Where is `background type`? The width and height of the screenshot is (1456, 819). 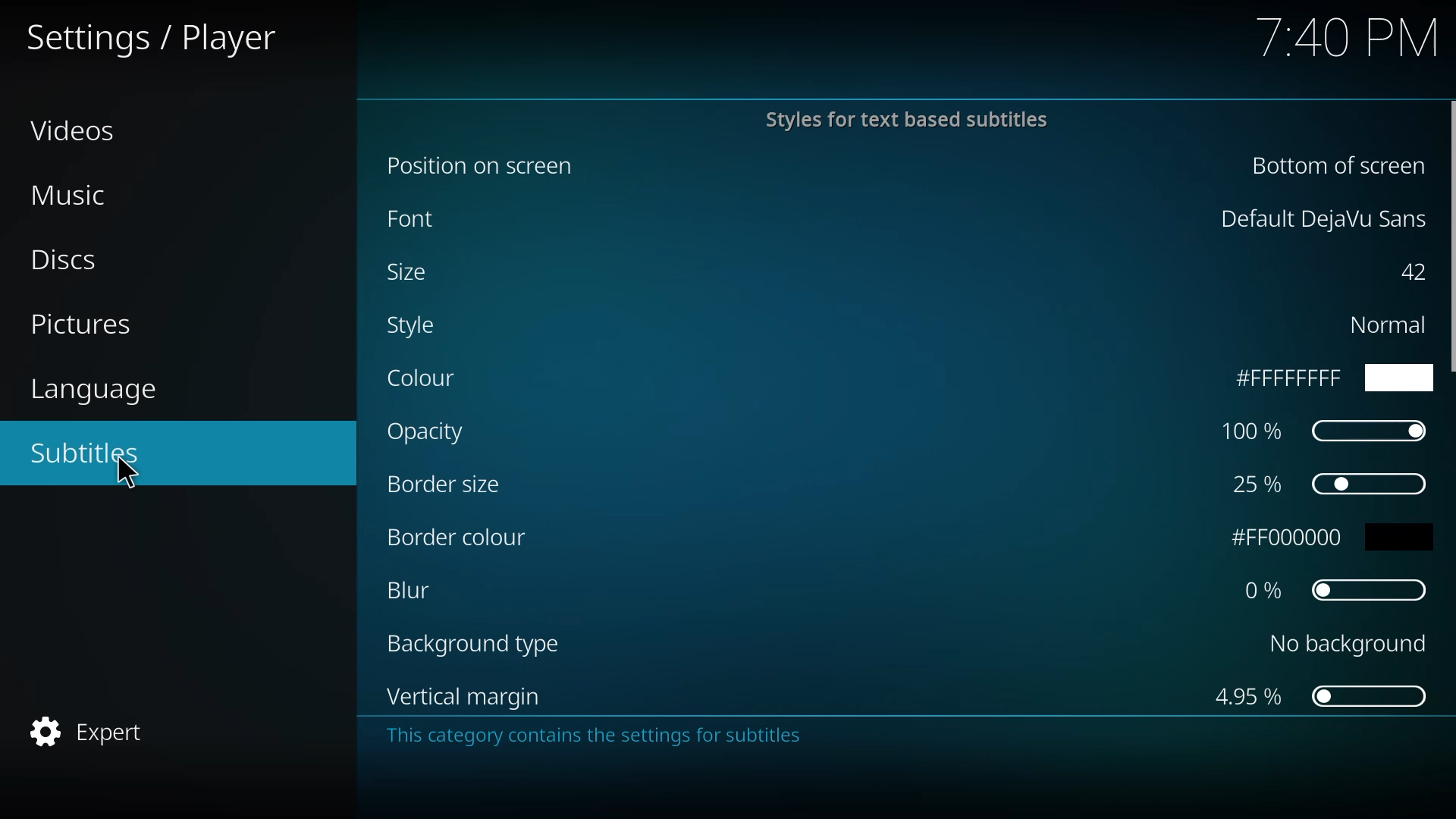 background type is located at coordinates (472, 644).